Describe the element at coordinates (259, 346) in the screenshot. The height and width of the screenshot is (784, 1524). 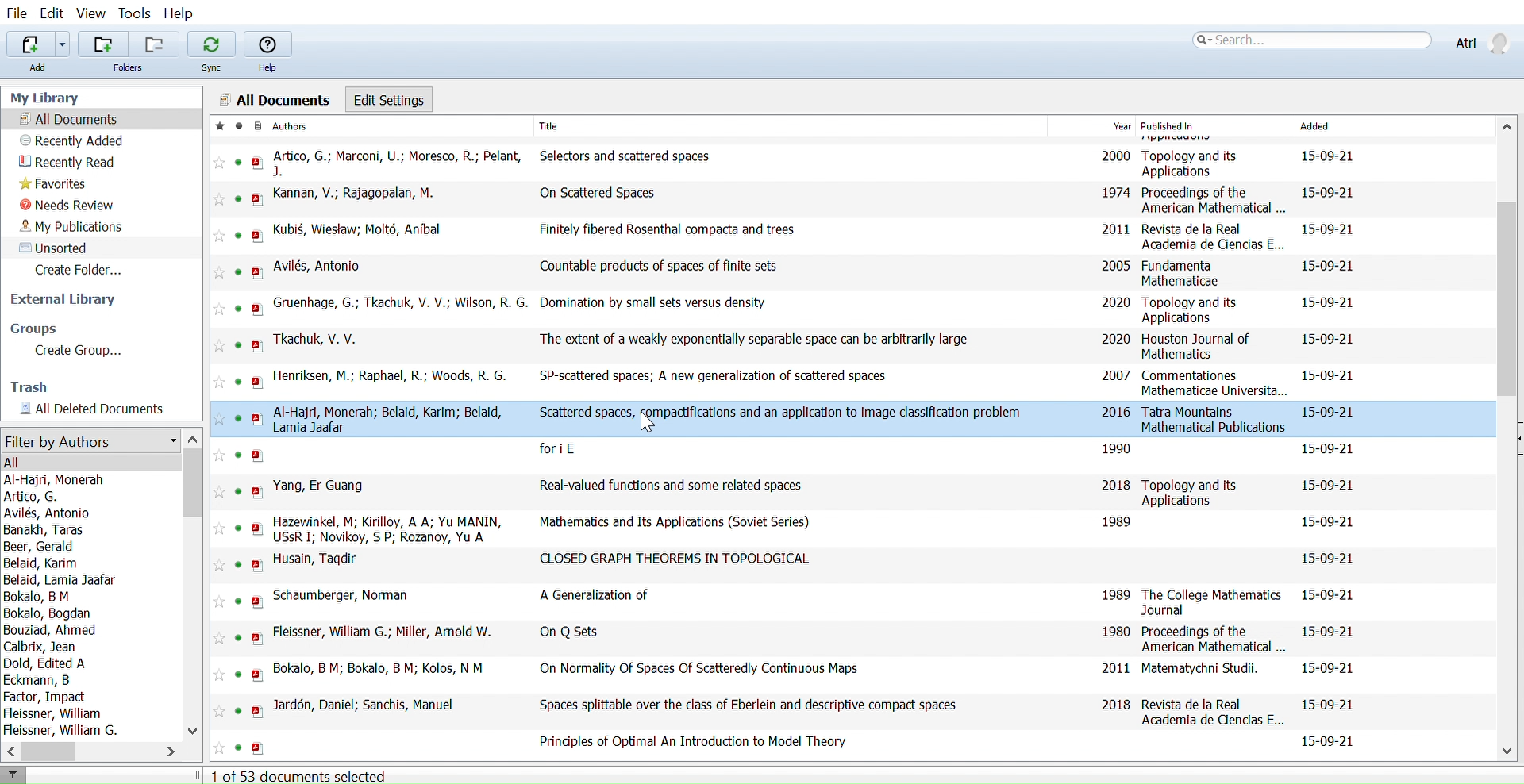
I see `PDF Document` at that location.